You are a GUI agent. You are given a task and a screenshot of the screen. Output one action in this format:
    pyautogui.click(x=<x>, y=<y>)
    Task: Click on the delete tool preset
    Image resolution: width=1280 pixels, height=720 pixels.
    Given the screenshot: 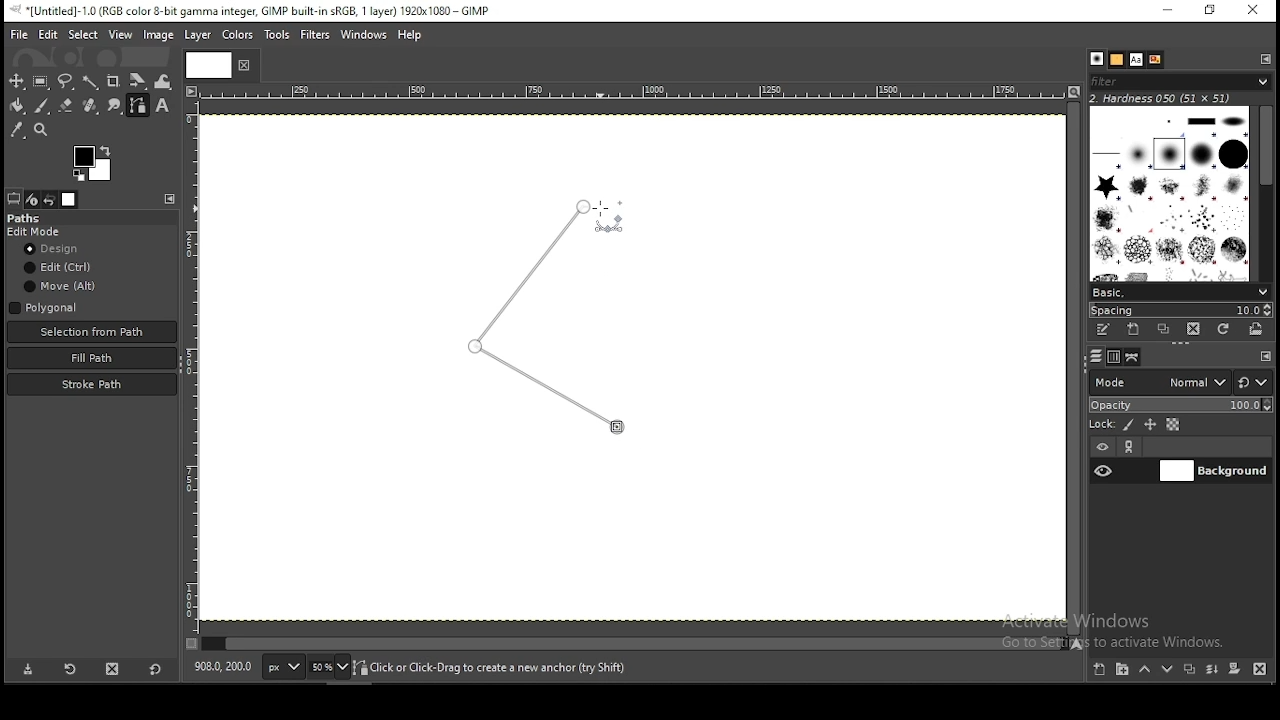 What is the action you would take?
    pyautogui.click(x=113, y=672)
    